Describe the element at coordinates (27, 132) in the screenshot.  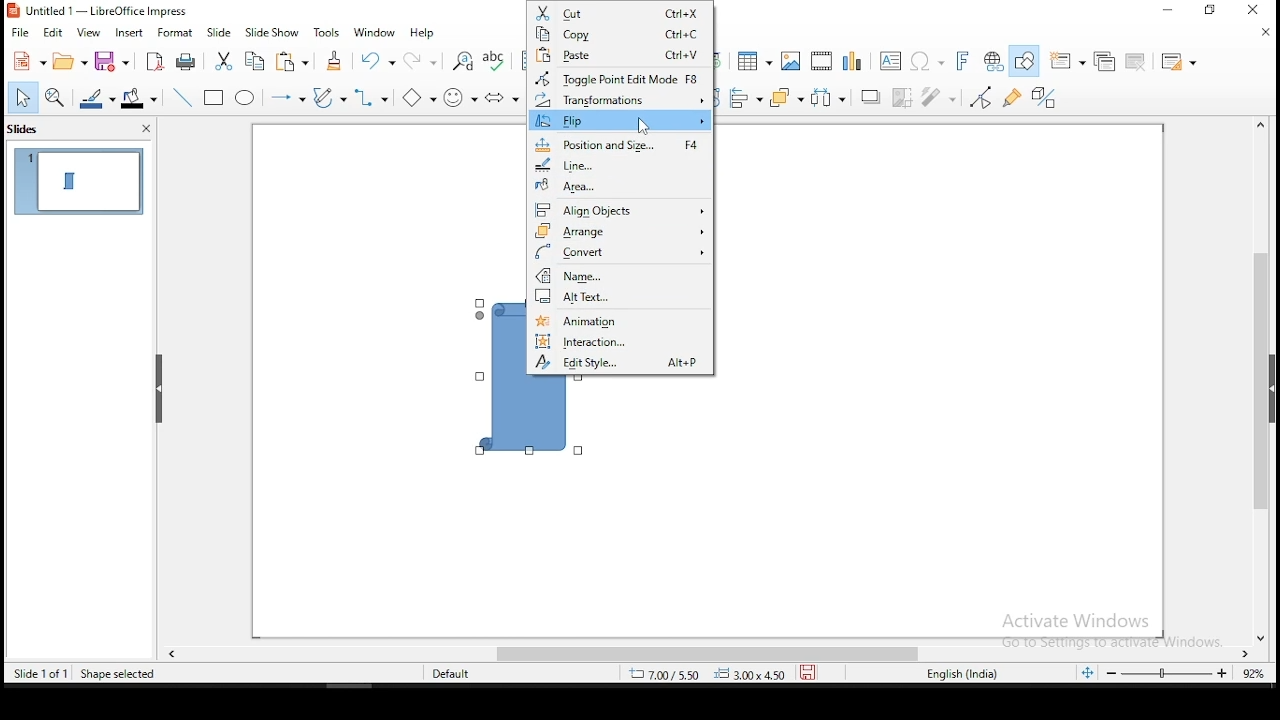
I see `slides` at that location.